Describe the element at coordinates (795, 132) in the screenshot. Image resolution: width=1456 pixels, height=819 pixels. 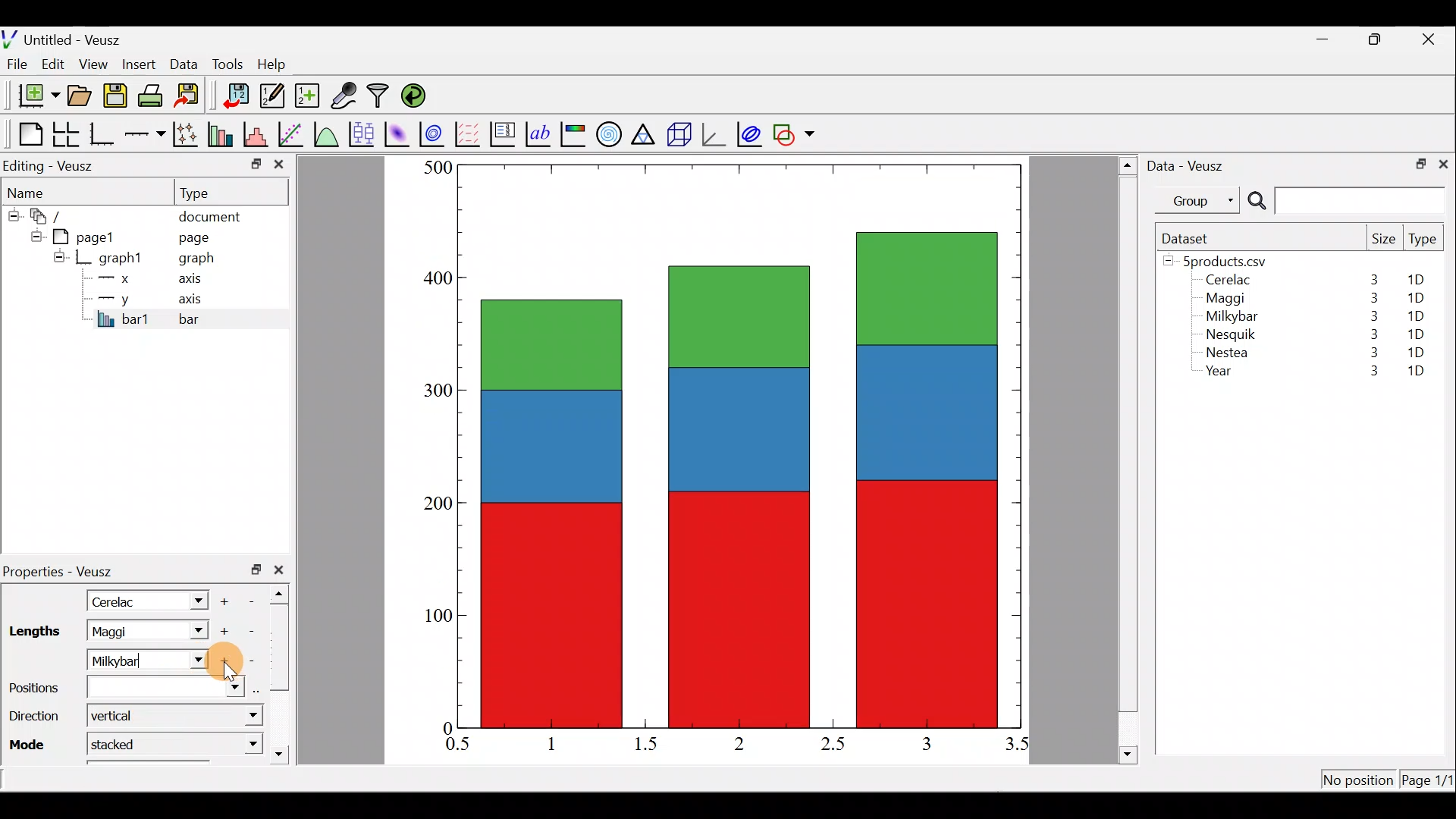
I see `Add a shape to the plot.` at that location.